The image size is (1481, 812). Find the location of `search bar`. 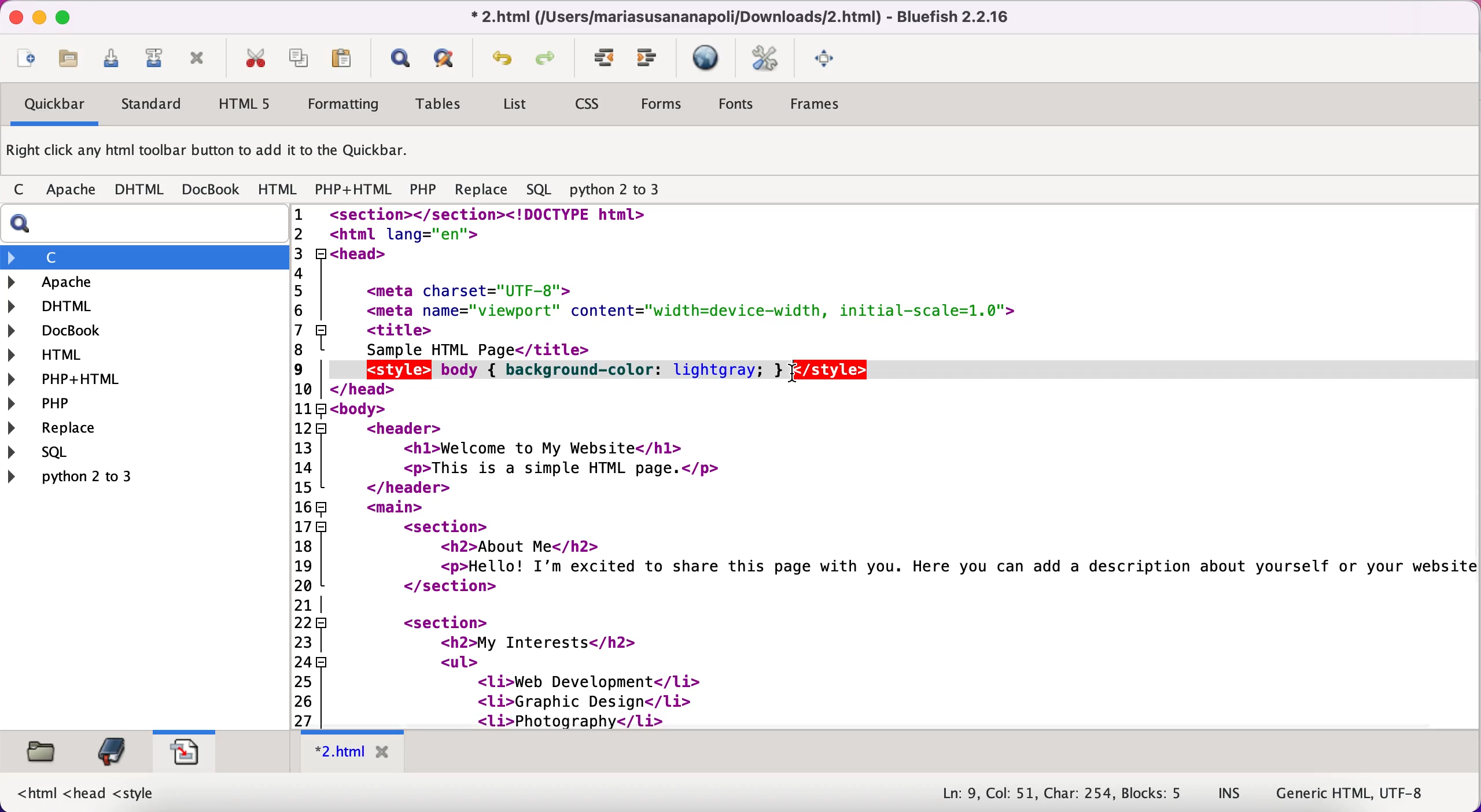

search bar is located at coordinates (142, 224).